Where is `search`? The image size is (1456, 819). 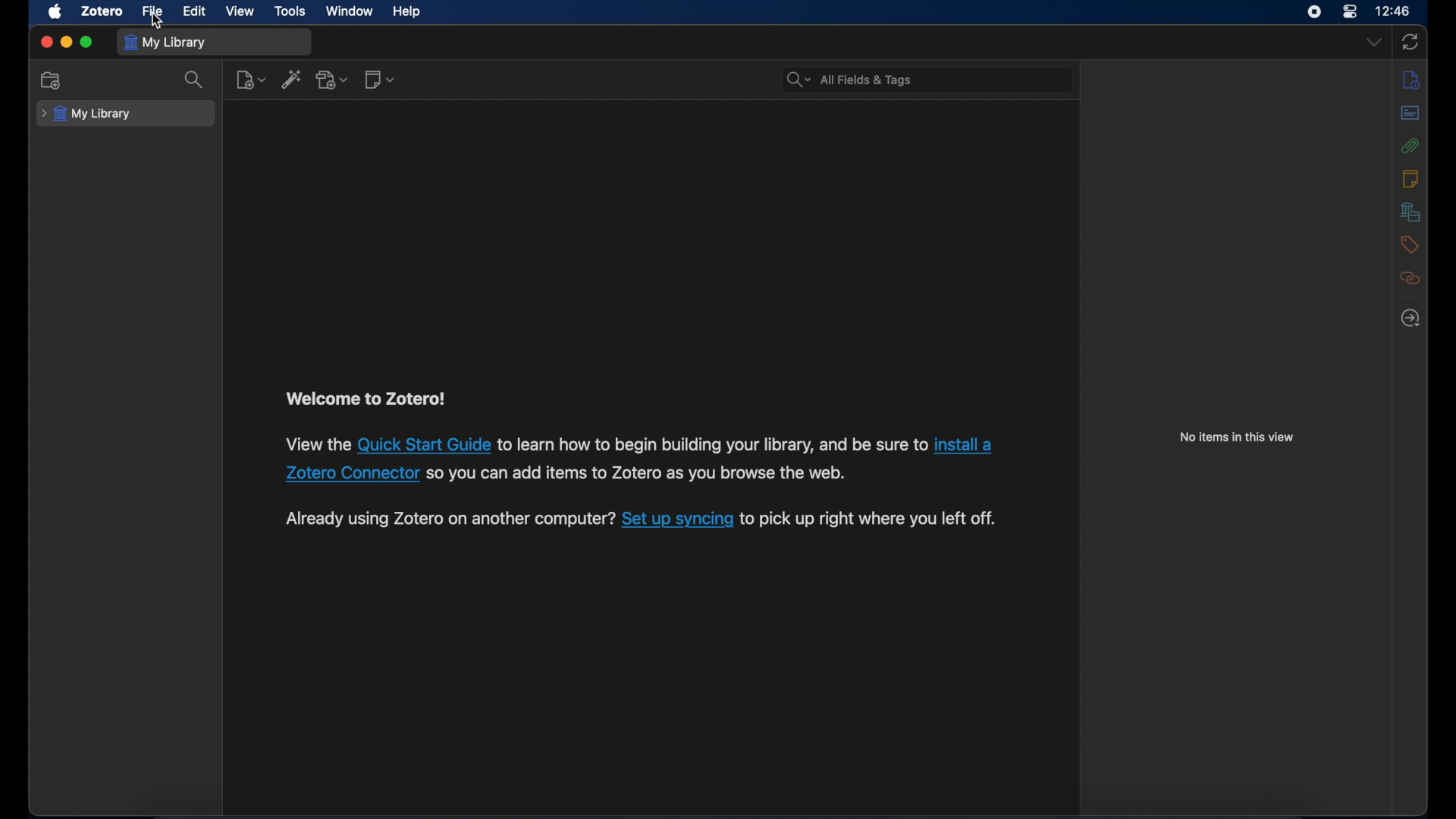 search is located at coordinates (194, 80).